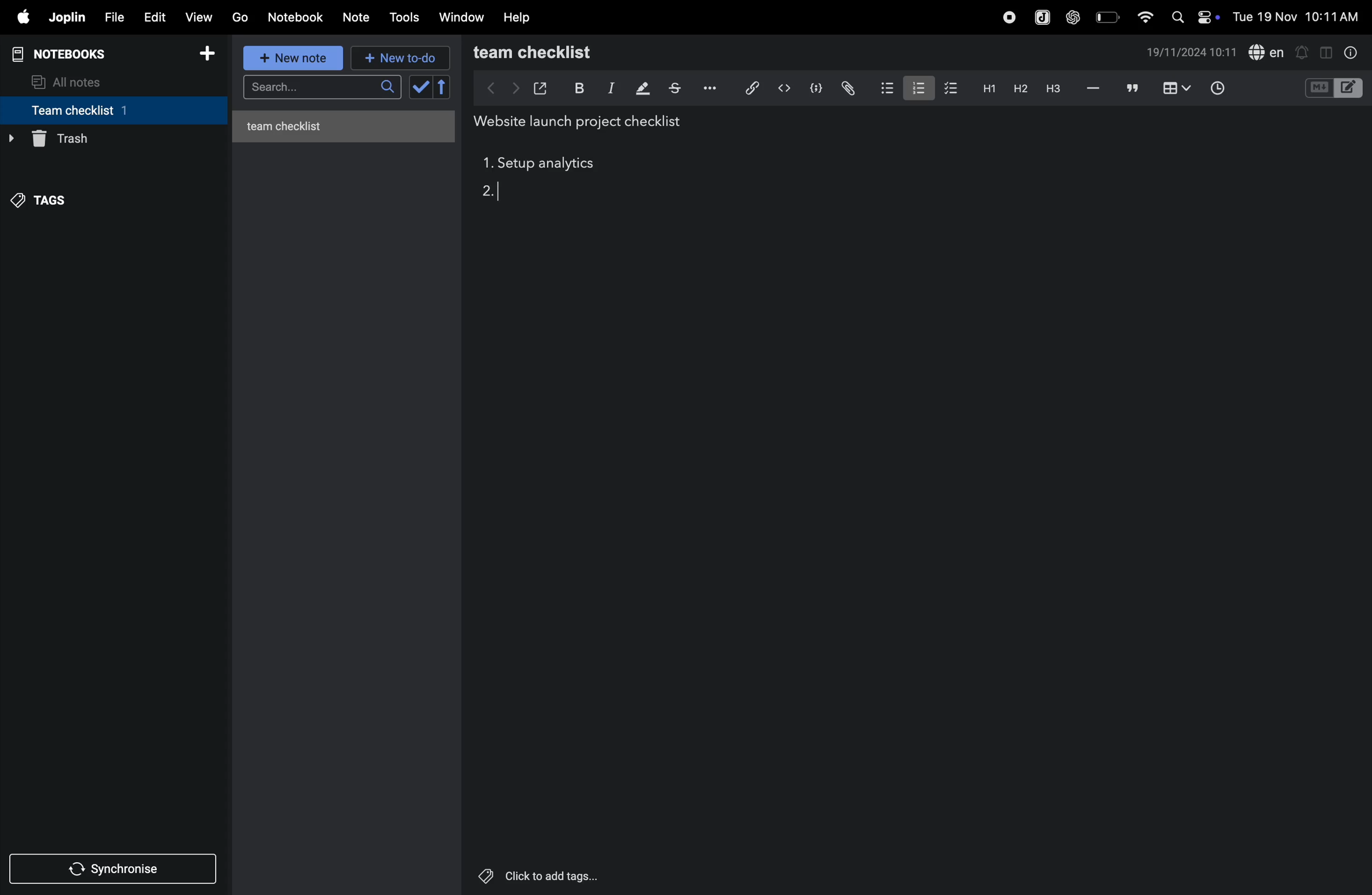 The width and height of the screenshot is (1372, 895). Describe the element at coordinates (94, 110) in the screenshot. I see `team checklist` at that location.